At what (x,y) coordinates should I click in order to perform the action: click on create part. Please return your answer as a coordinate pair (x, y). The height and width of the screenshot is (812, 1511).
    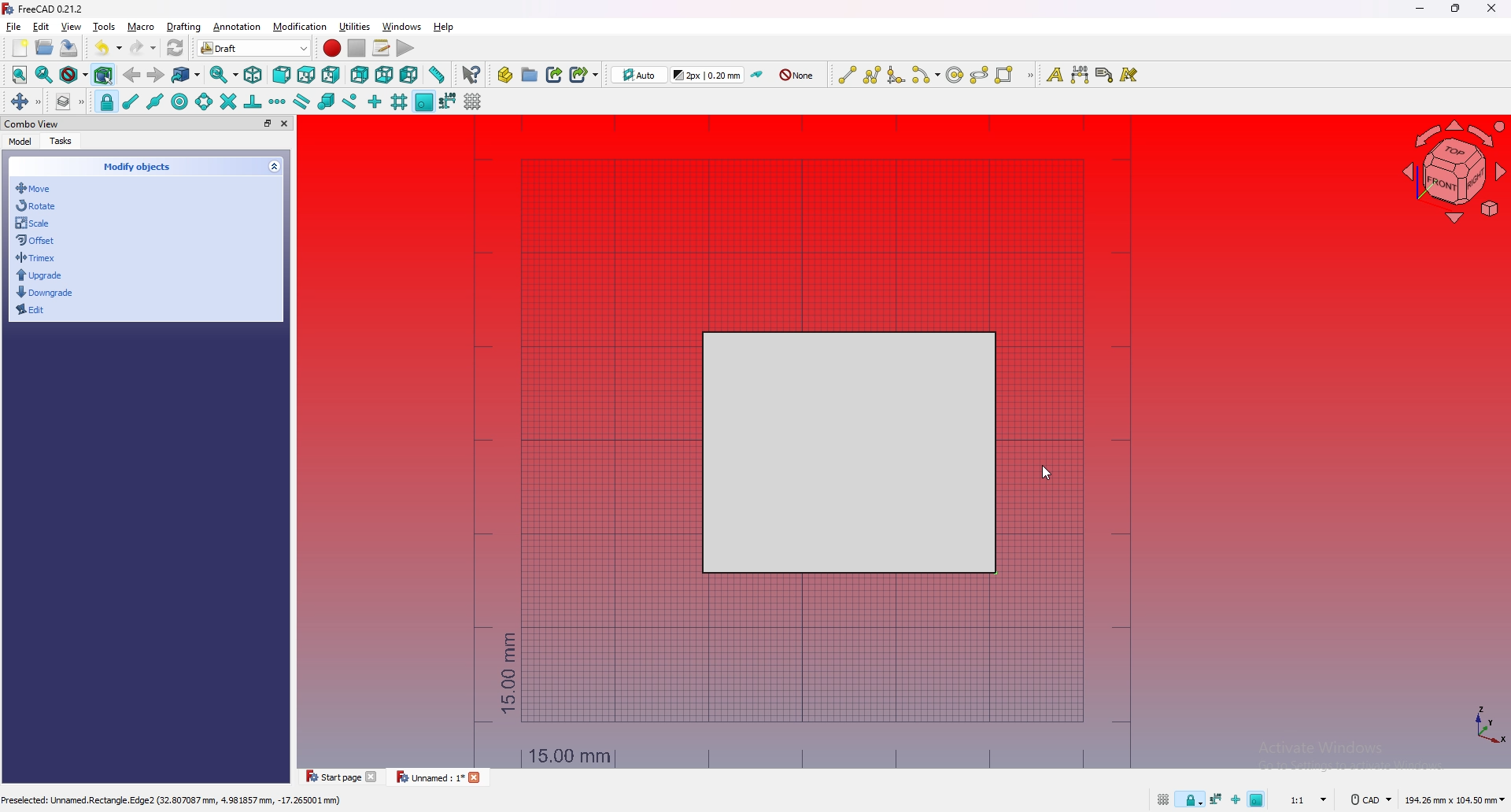
    Looking at the image, I should click on (504, 75).